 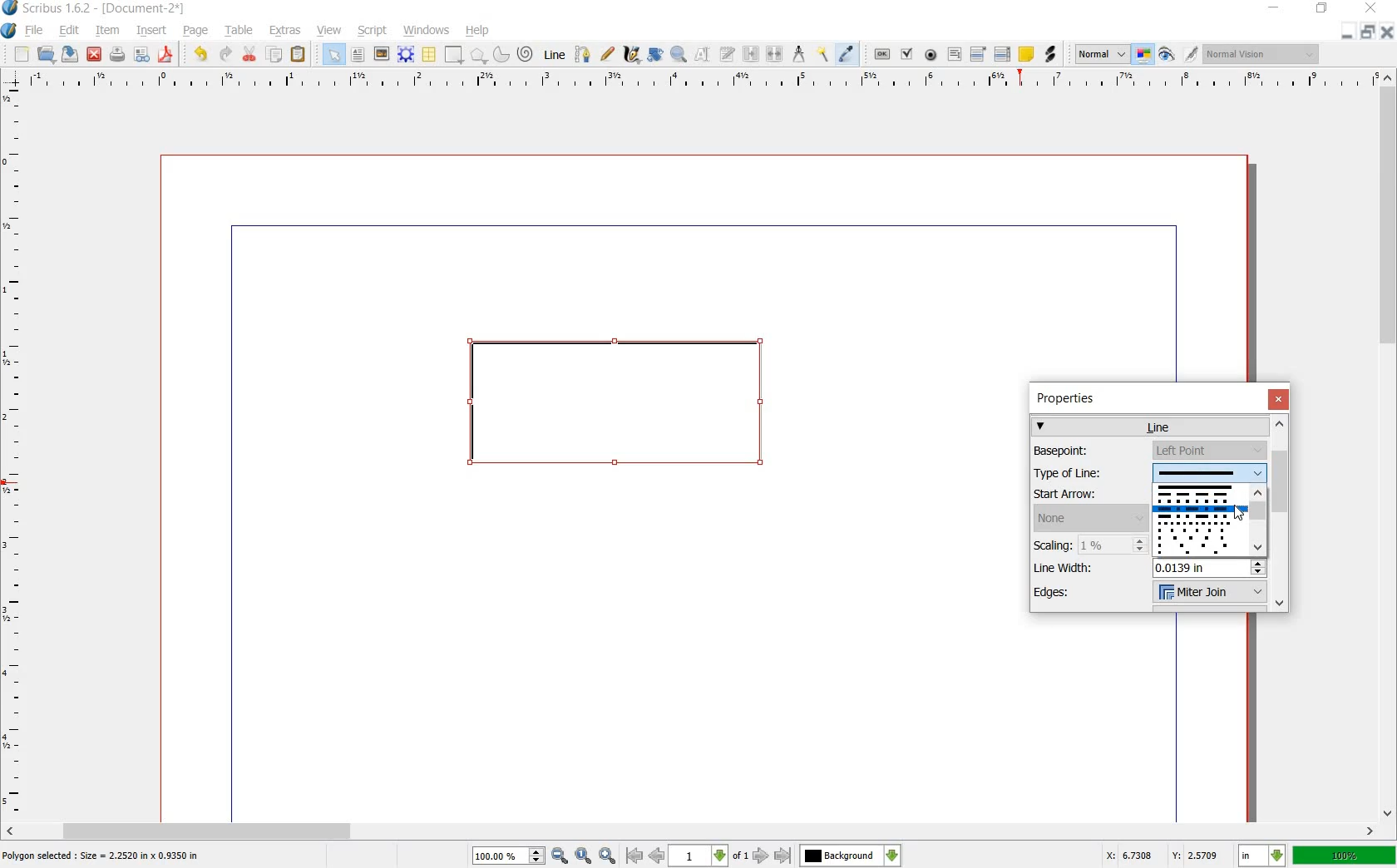 I want to click on Line Width:, so click(x=1070, y=567).